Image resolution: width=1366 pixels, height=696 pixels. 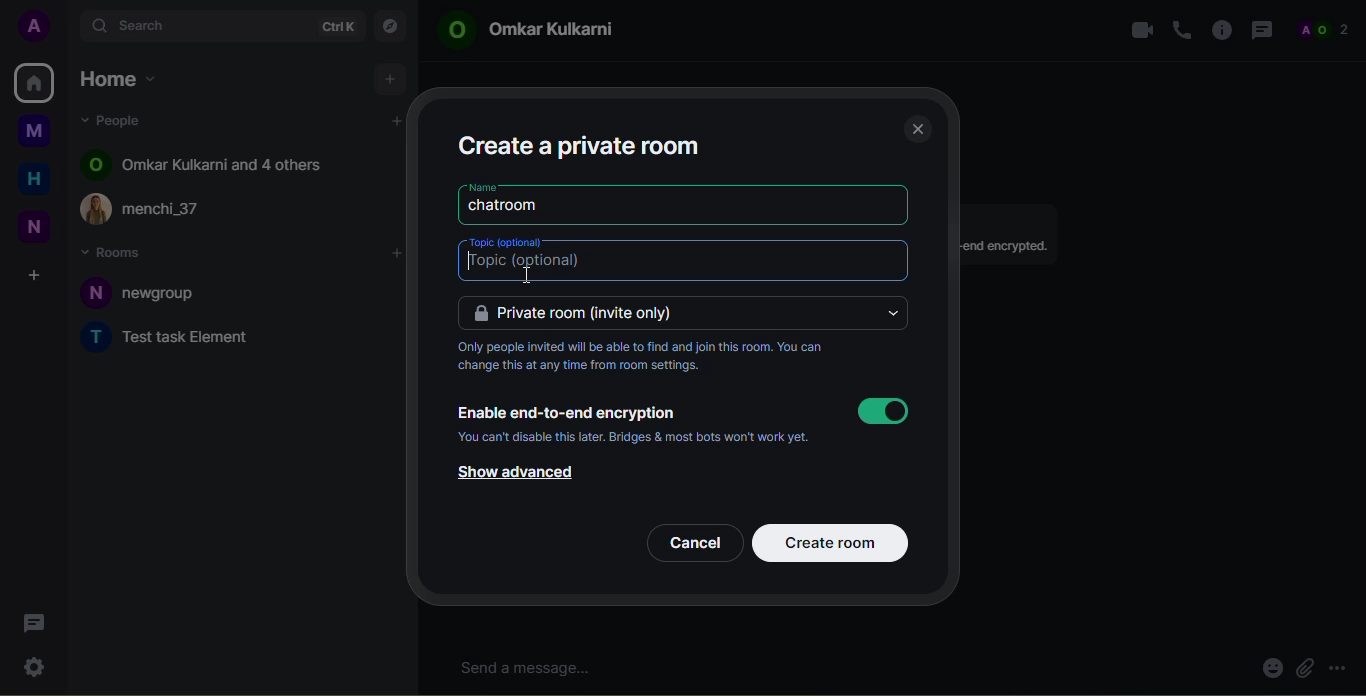 What do you see at coordinates (518, 277) in the screenshot?
I see `cursor` at bounding box center [518, 277].